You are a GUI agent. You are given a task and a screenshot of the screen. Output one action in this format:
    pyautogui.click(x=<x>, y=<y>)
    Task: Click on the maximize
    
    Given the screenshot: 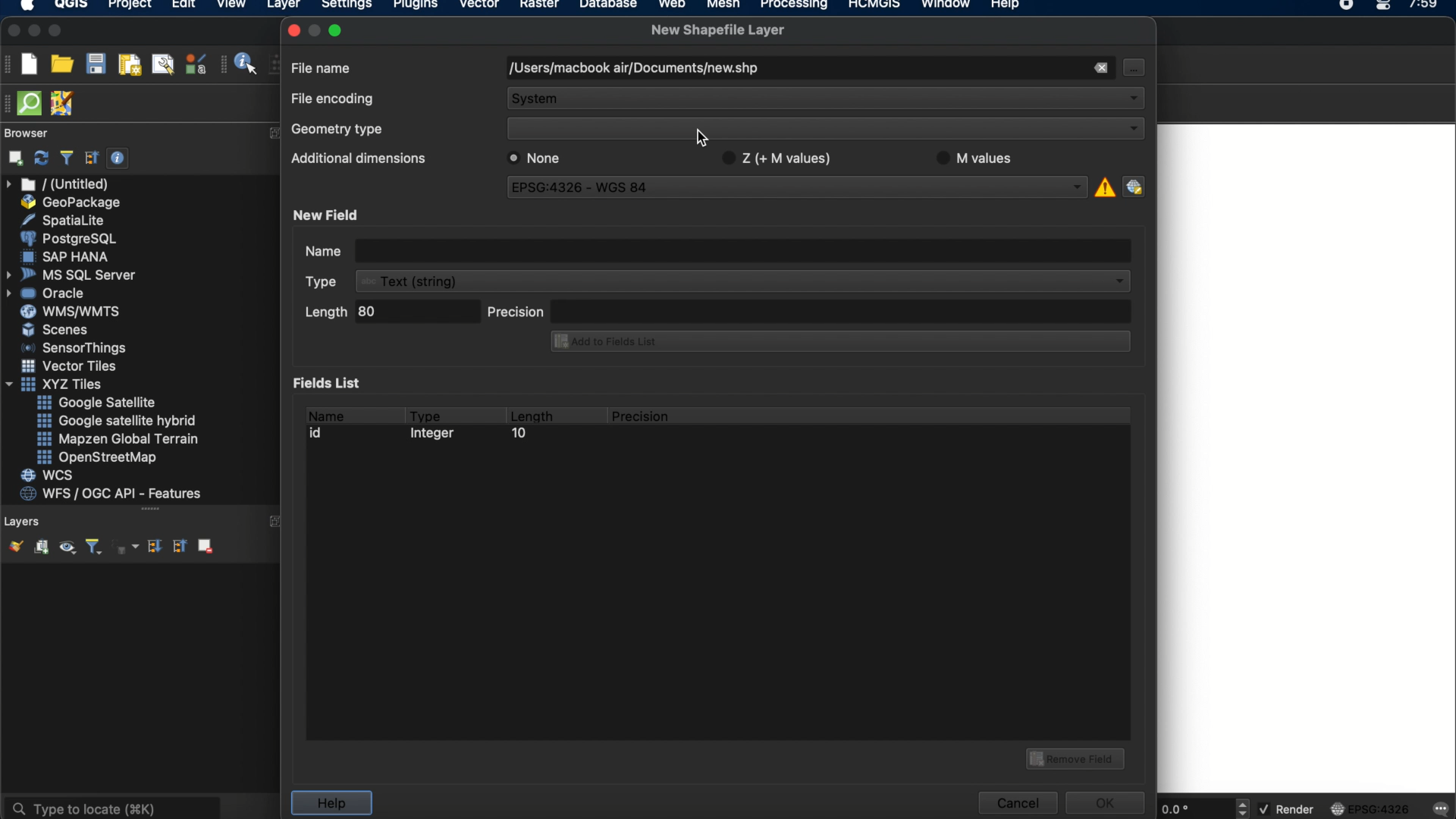 What is the action you would take?
    pyautogui.click(x=338, y=30)
    